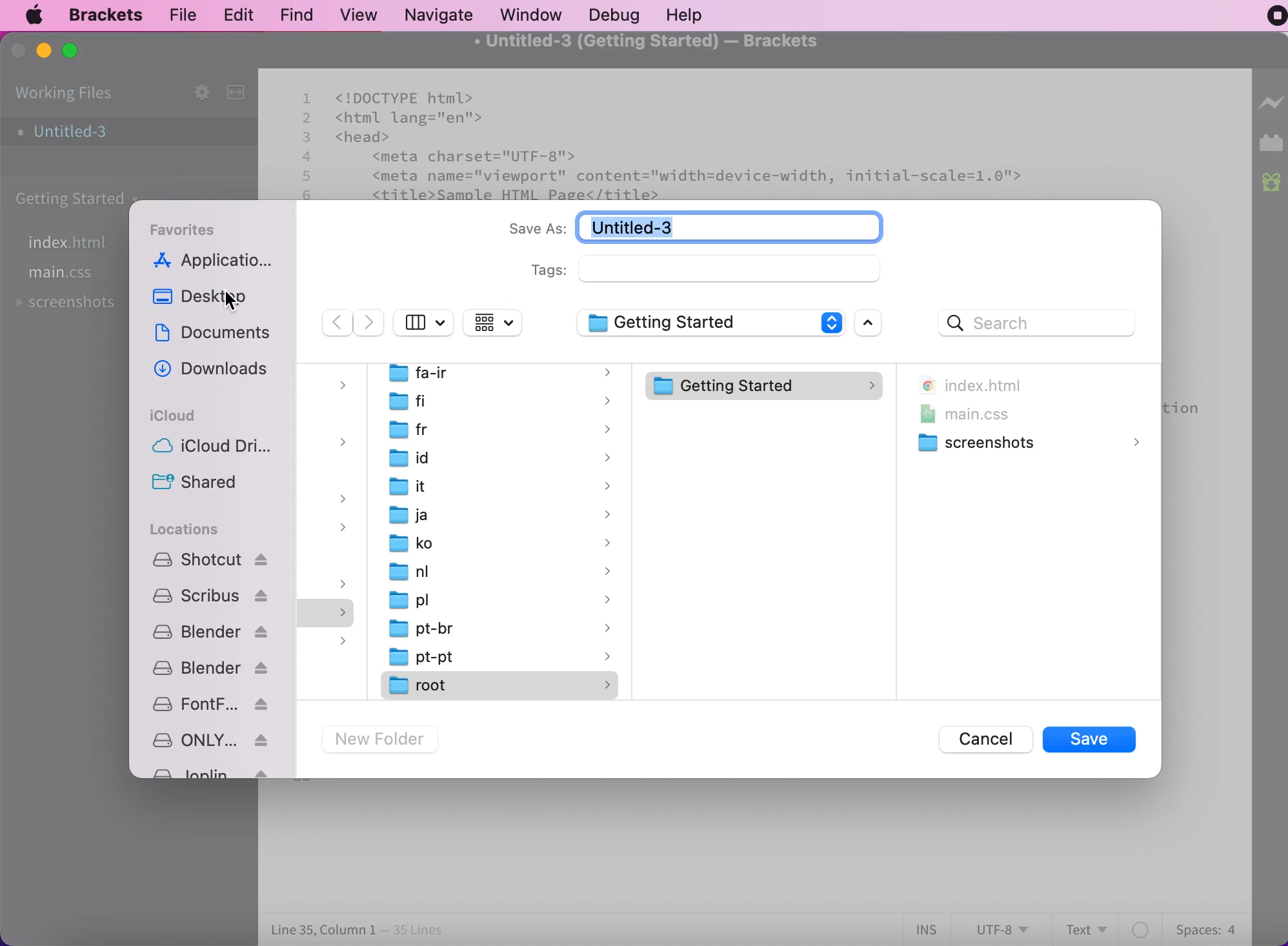  Describe the element at coordinates (209, 632) in the screenshot. I see `blender` at that location.